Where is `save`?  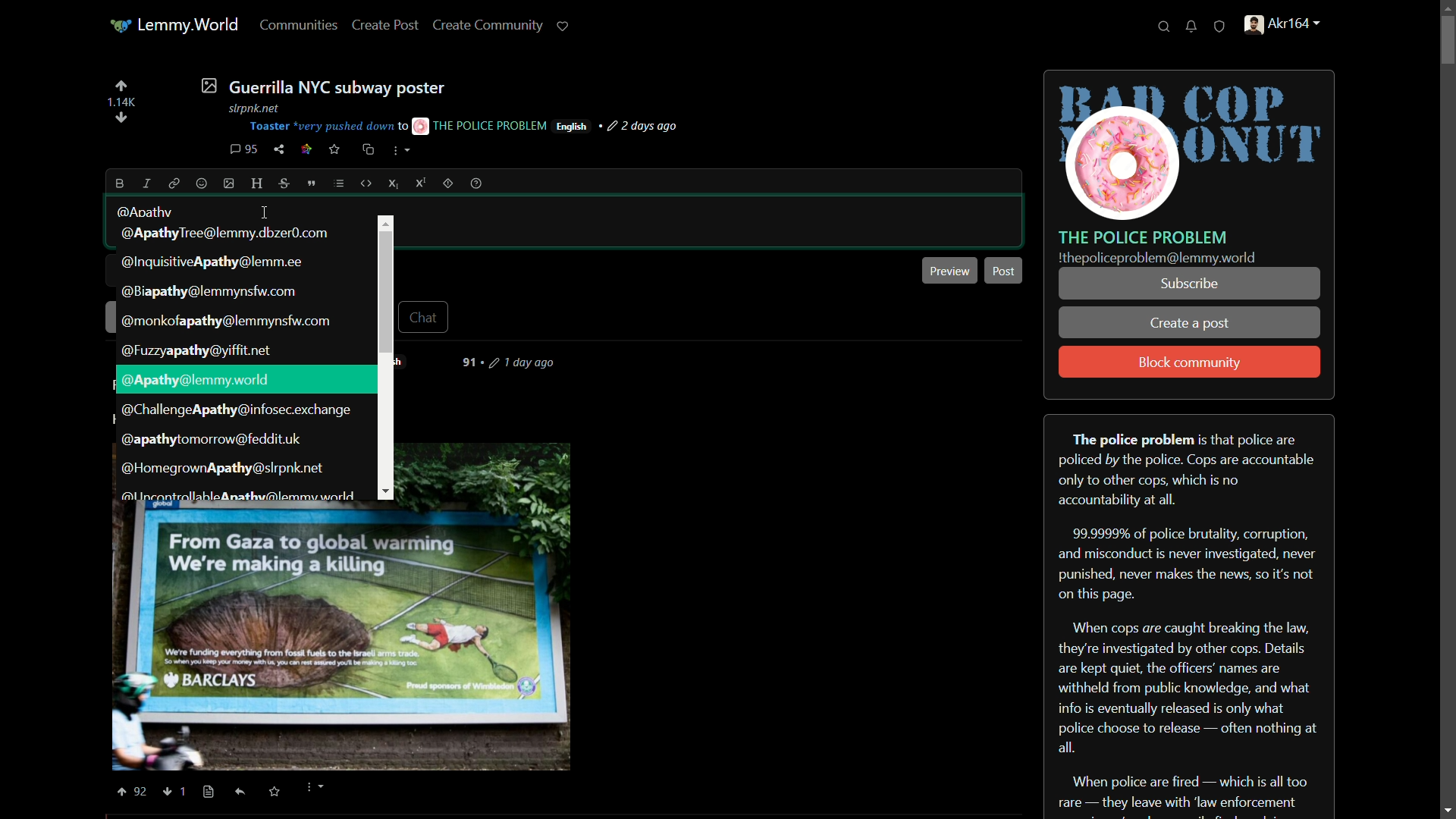
save is located at coordinates (335, 149).